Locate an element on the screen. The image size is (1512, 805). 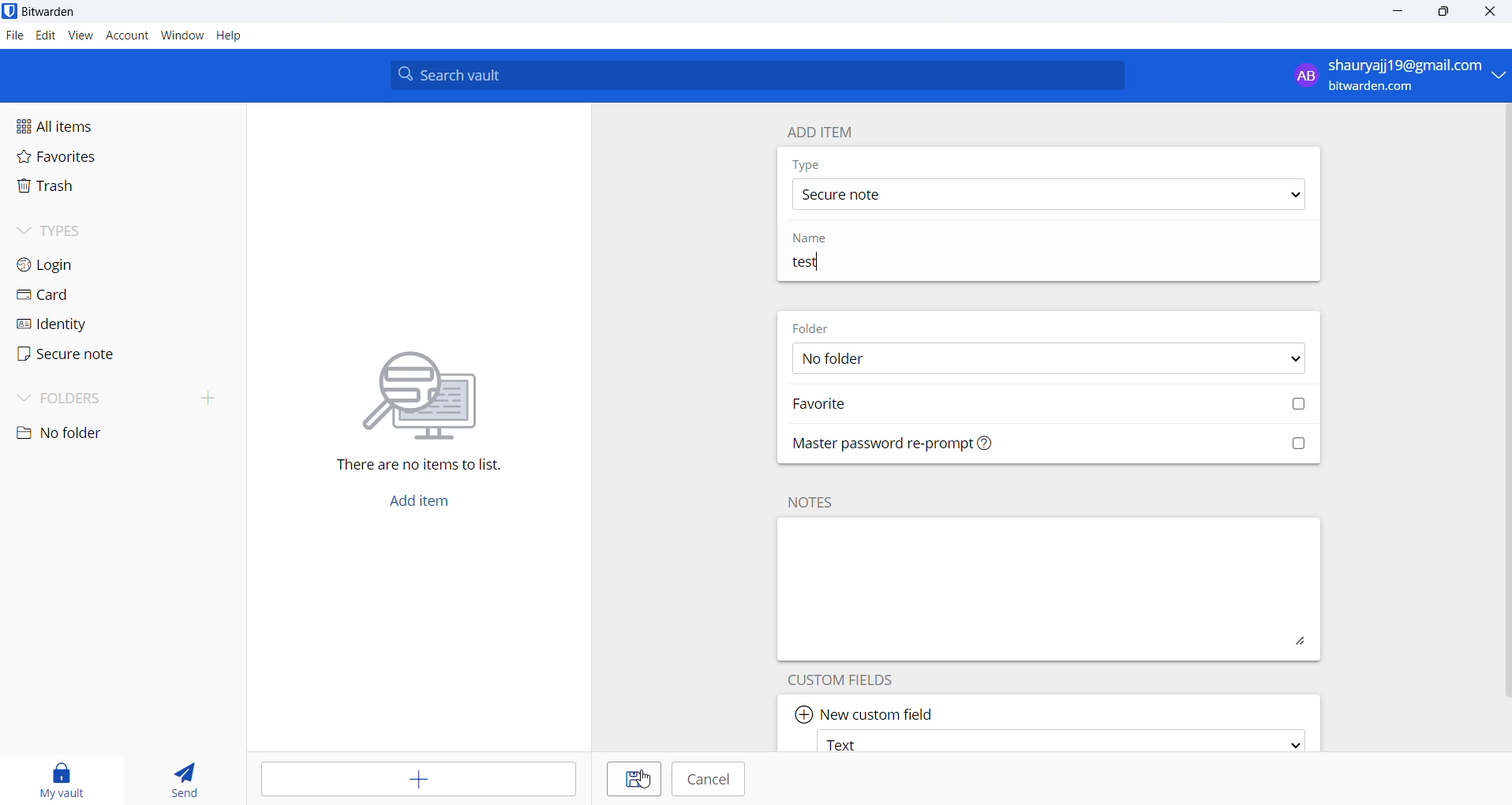
card is located at coordinates (83, 295).